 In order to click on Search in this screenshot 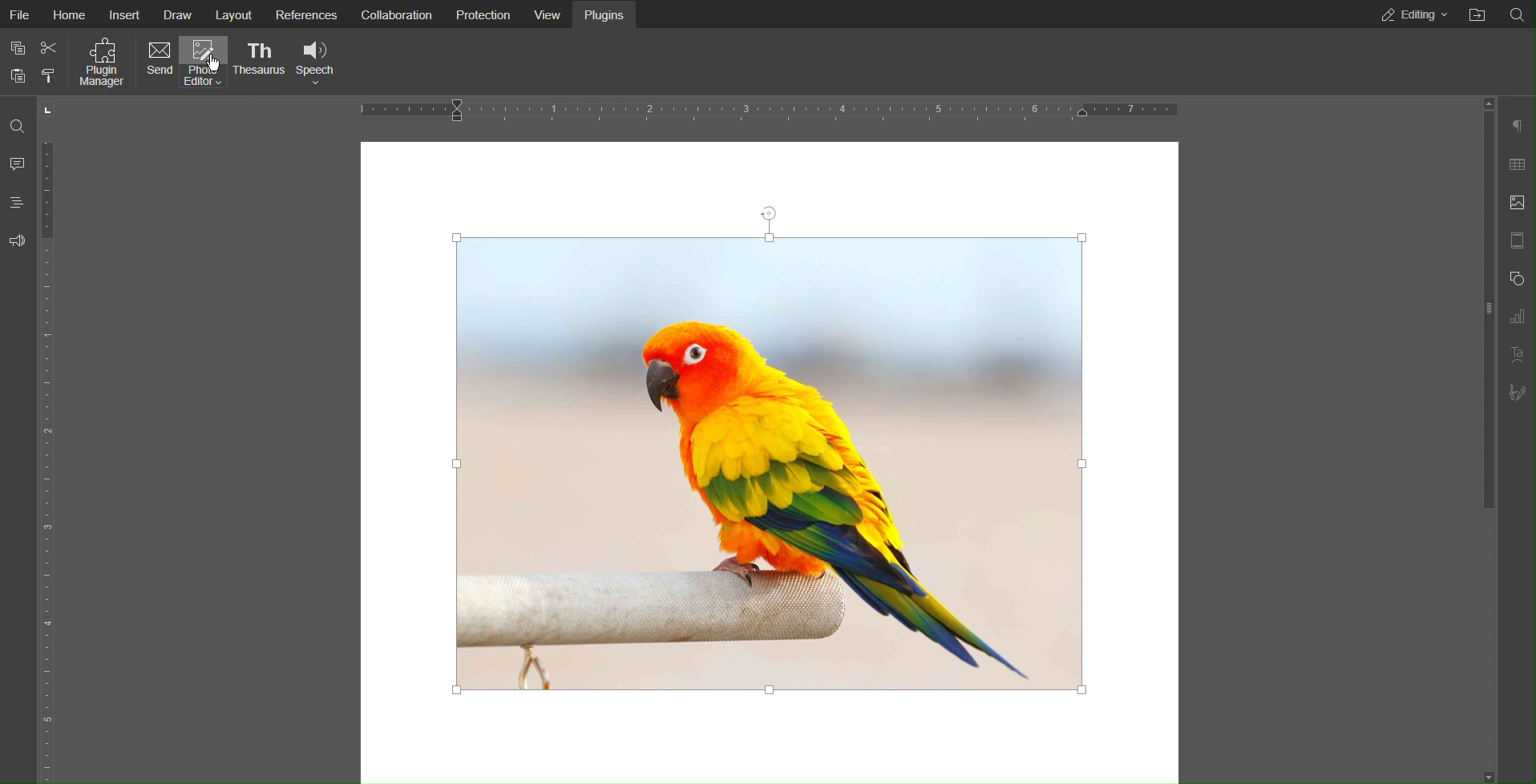, I will do `click(18, 121)`.